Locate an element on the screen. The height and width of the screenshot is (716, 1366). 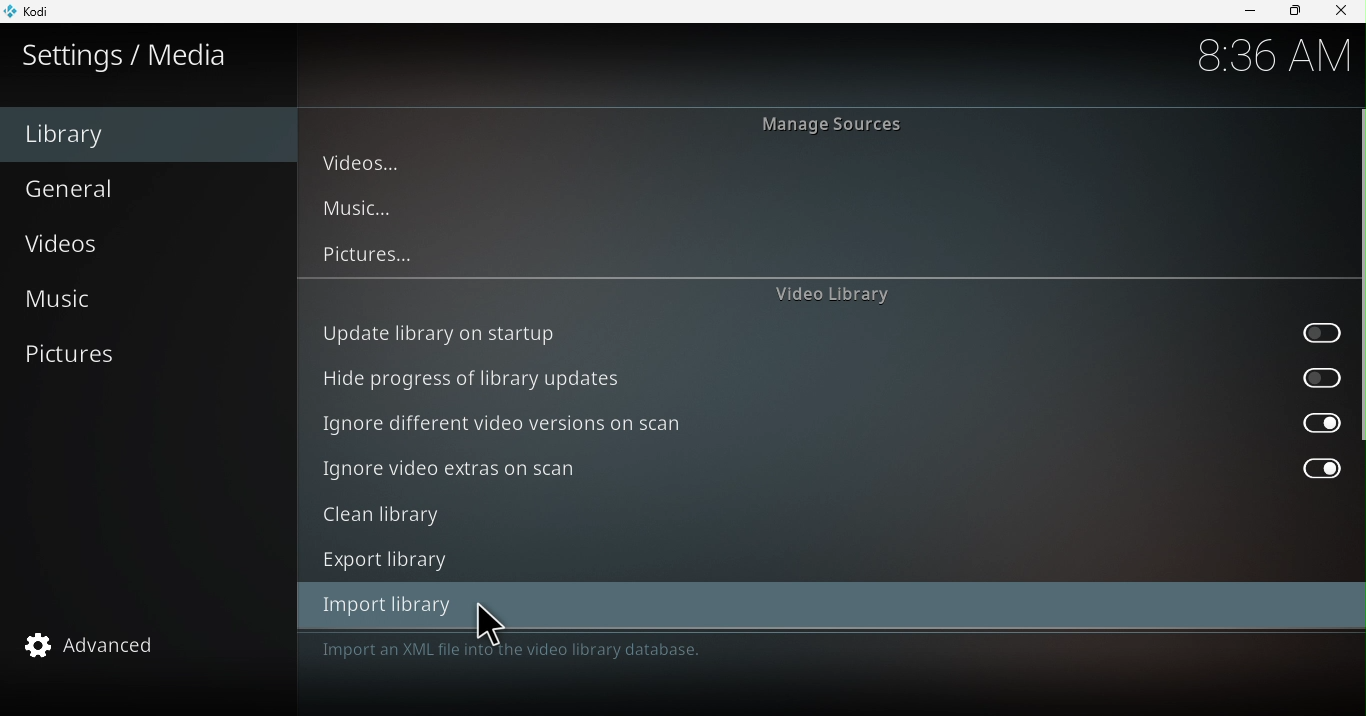
scroll bar is located at coordinates (1358, 367).